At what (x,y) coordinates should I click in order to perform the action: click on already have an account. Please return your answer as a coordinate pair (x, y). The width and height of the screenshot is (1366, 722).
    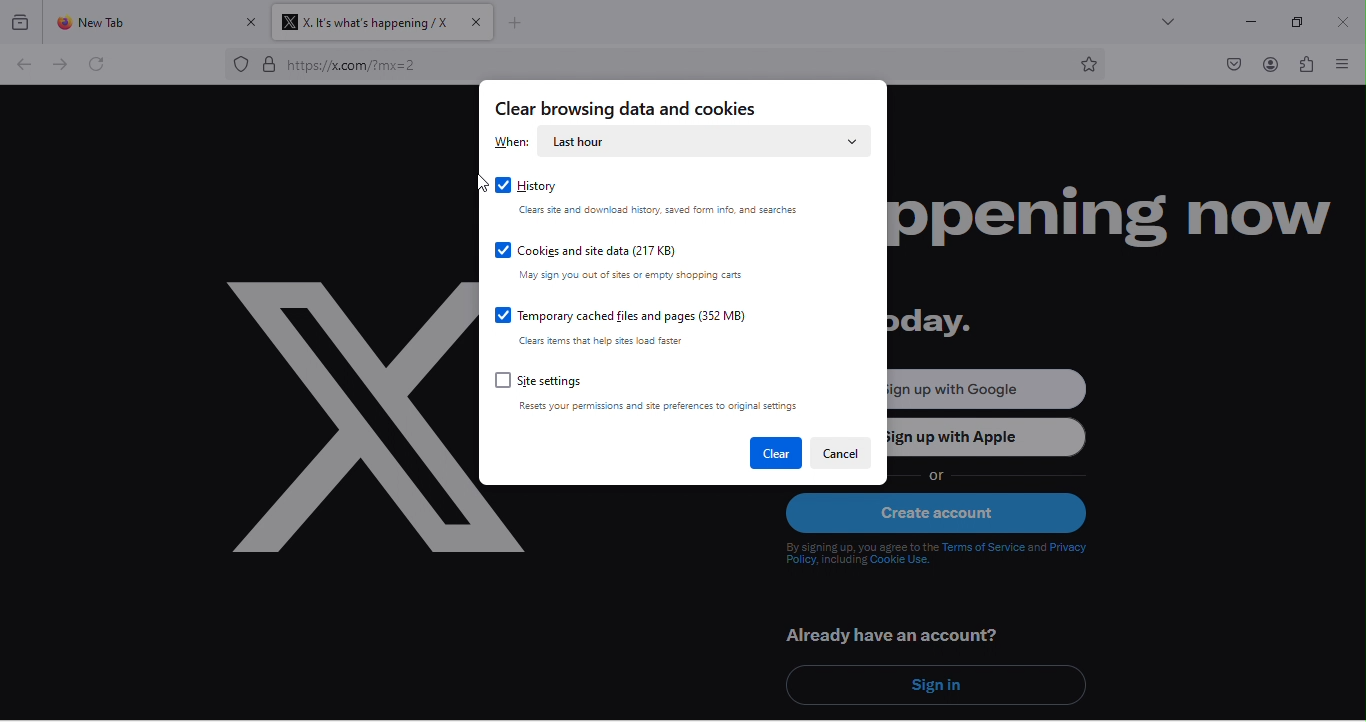
    Looking at the image, I should click on (897, 635).